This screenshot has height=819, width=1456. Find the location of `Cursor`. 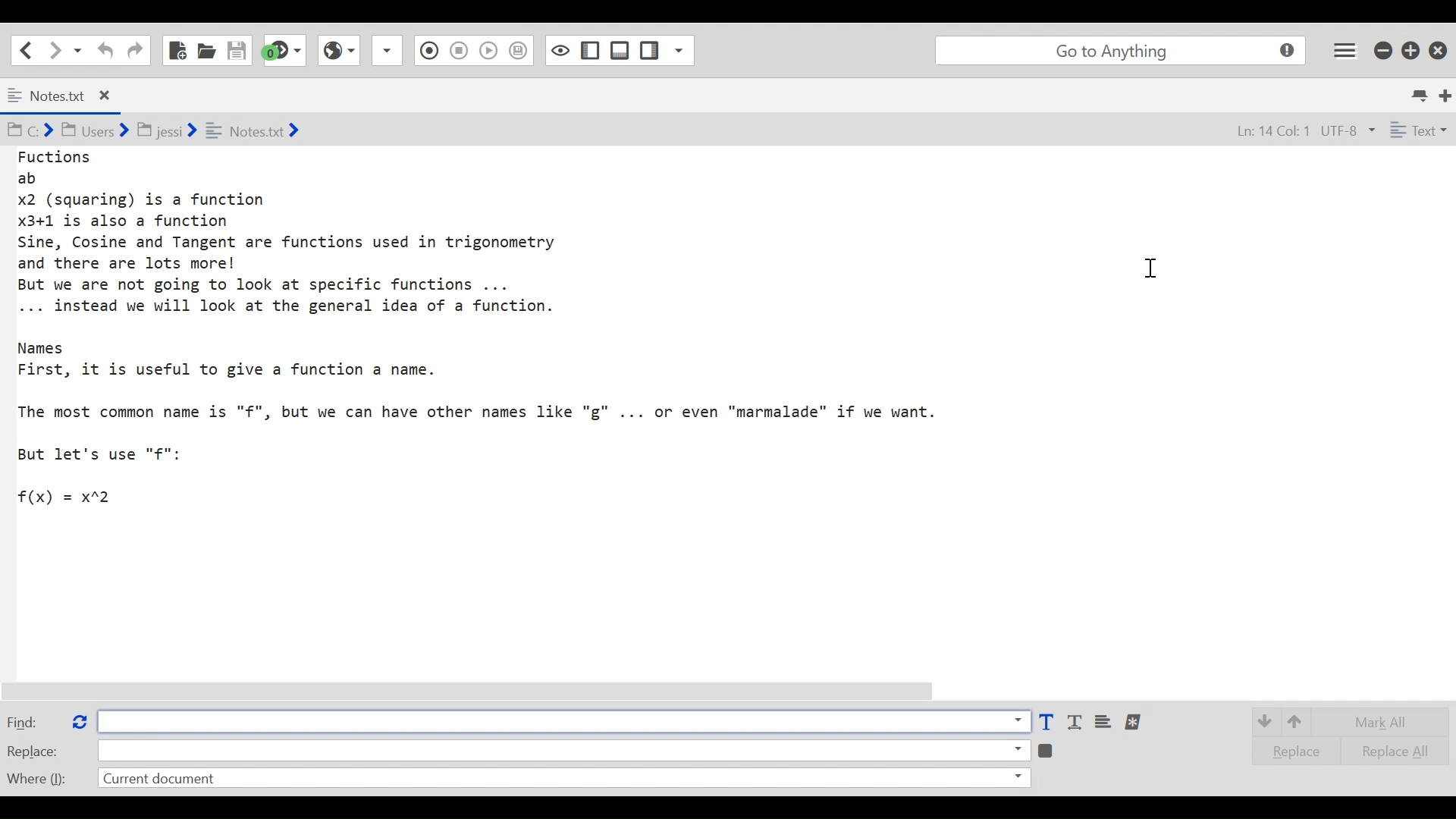

Cursor is located at coordinates (1159, 271).